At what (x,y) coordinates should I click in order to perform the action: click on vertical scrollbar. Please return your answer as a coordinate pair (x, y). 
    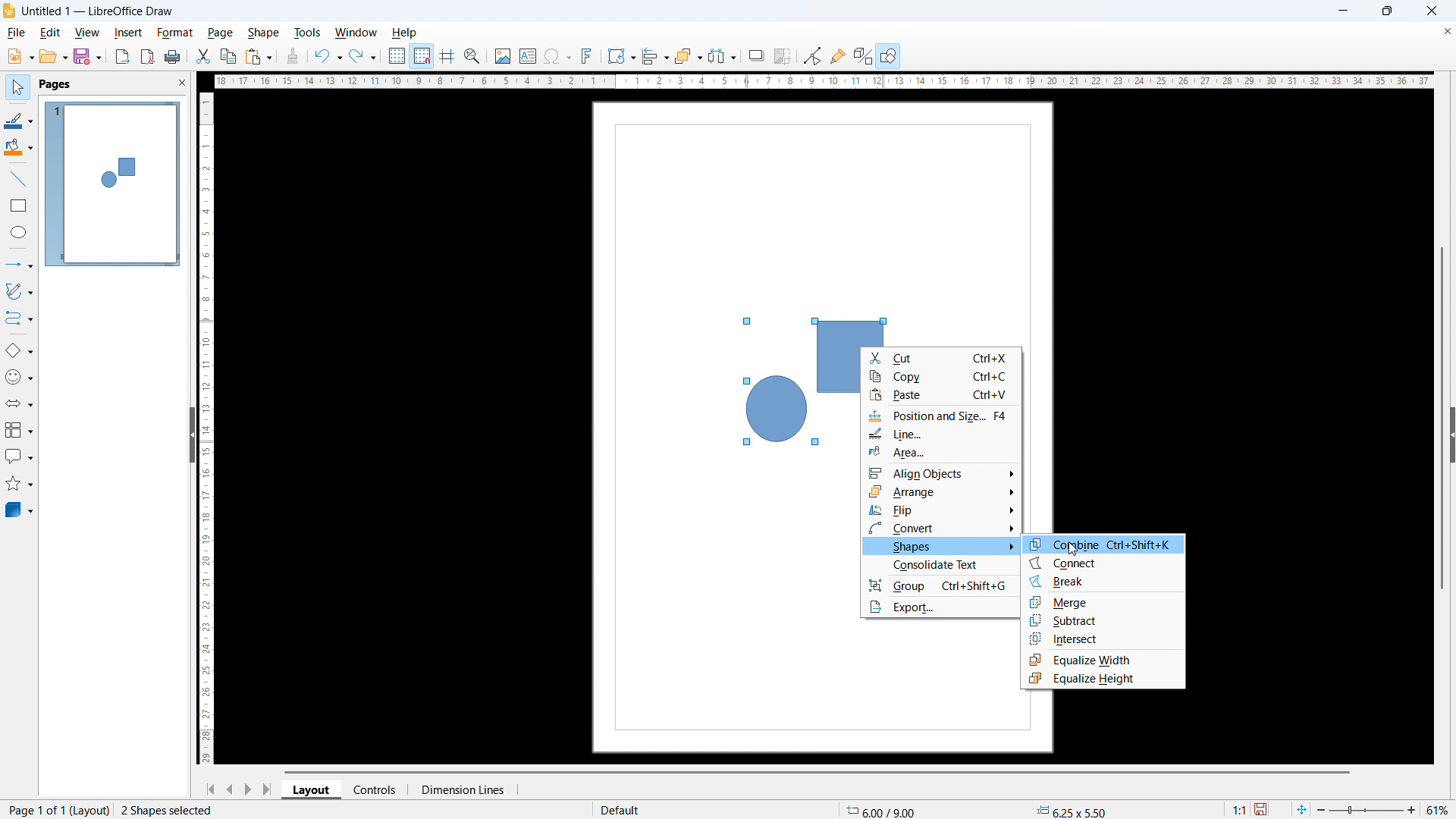
    Looking at the image, I should click on (1442, 416).